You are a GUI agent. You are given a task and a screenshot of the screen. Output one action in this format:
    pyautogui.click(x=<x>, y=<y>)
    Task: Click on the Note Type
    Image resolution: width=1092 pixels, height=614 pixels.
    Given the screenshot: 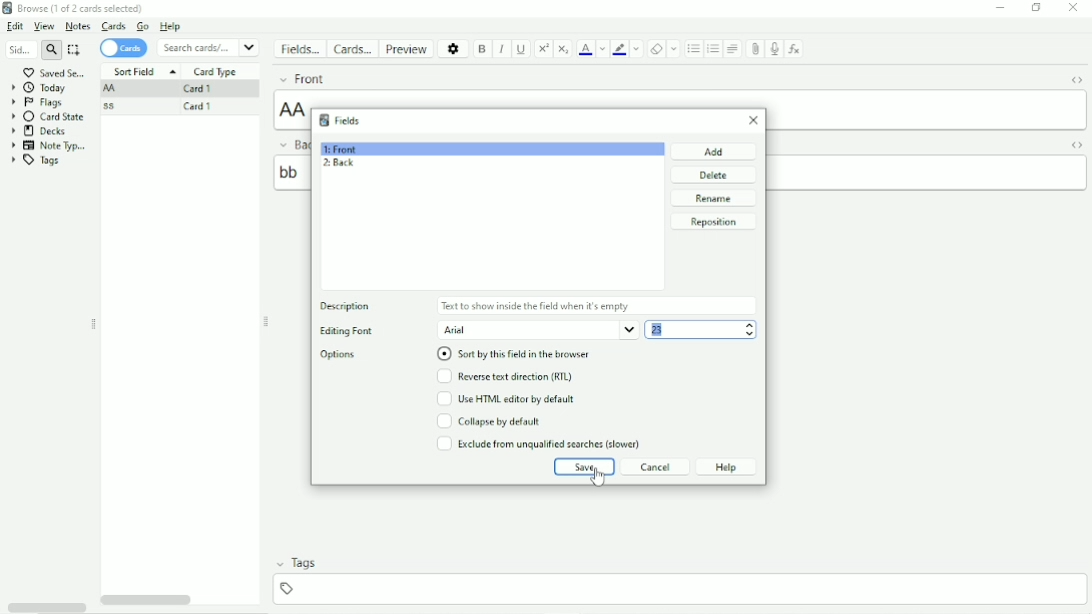 What is the action you would take?
    pyautogui.click(x=49, y=146)
    